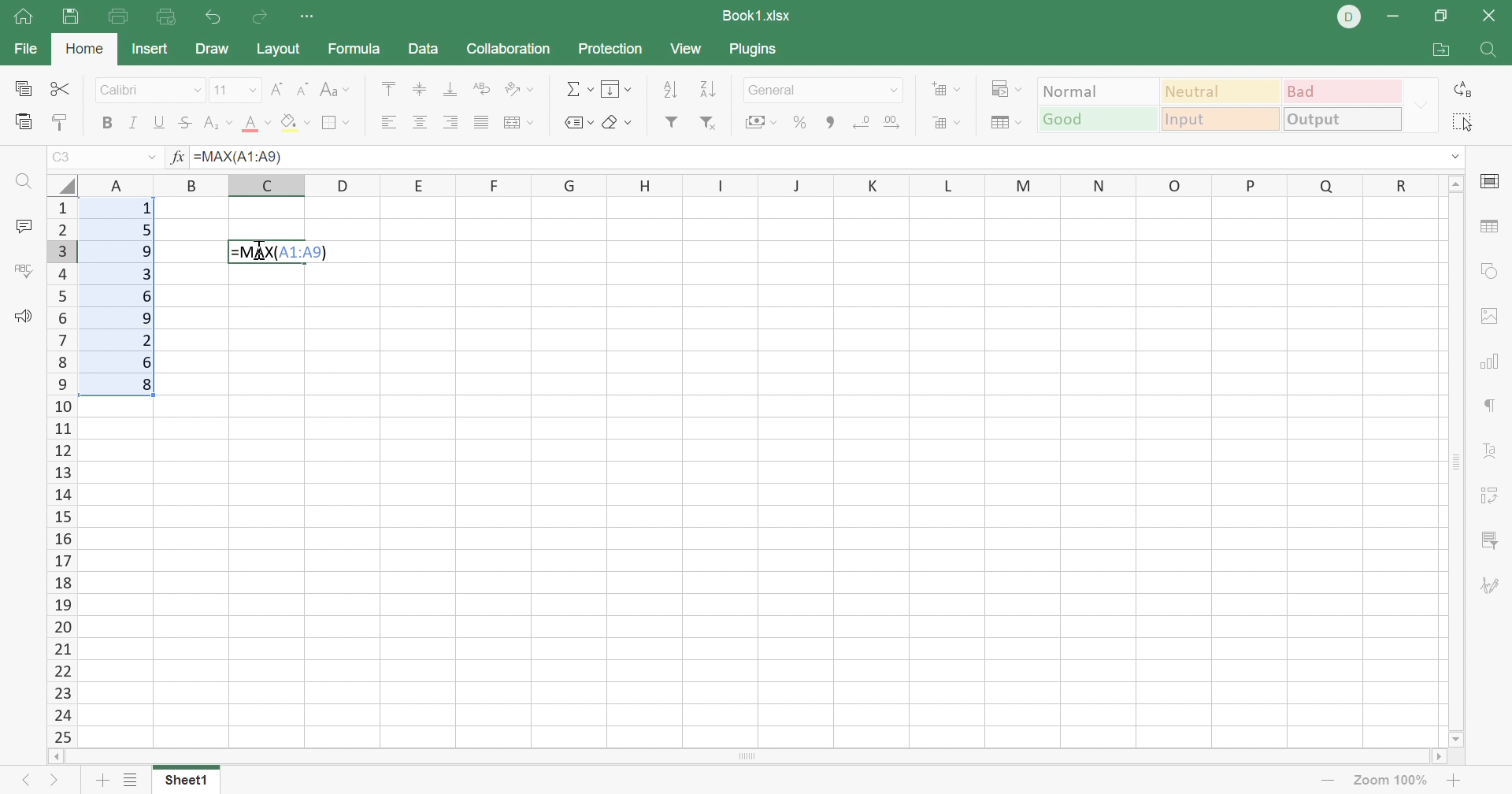 The width and height of the screenshot is (1512, 794). Describe the element at coordinates (712, 126) in the screenshot. I see `Remove filter` at that location.